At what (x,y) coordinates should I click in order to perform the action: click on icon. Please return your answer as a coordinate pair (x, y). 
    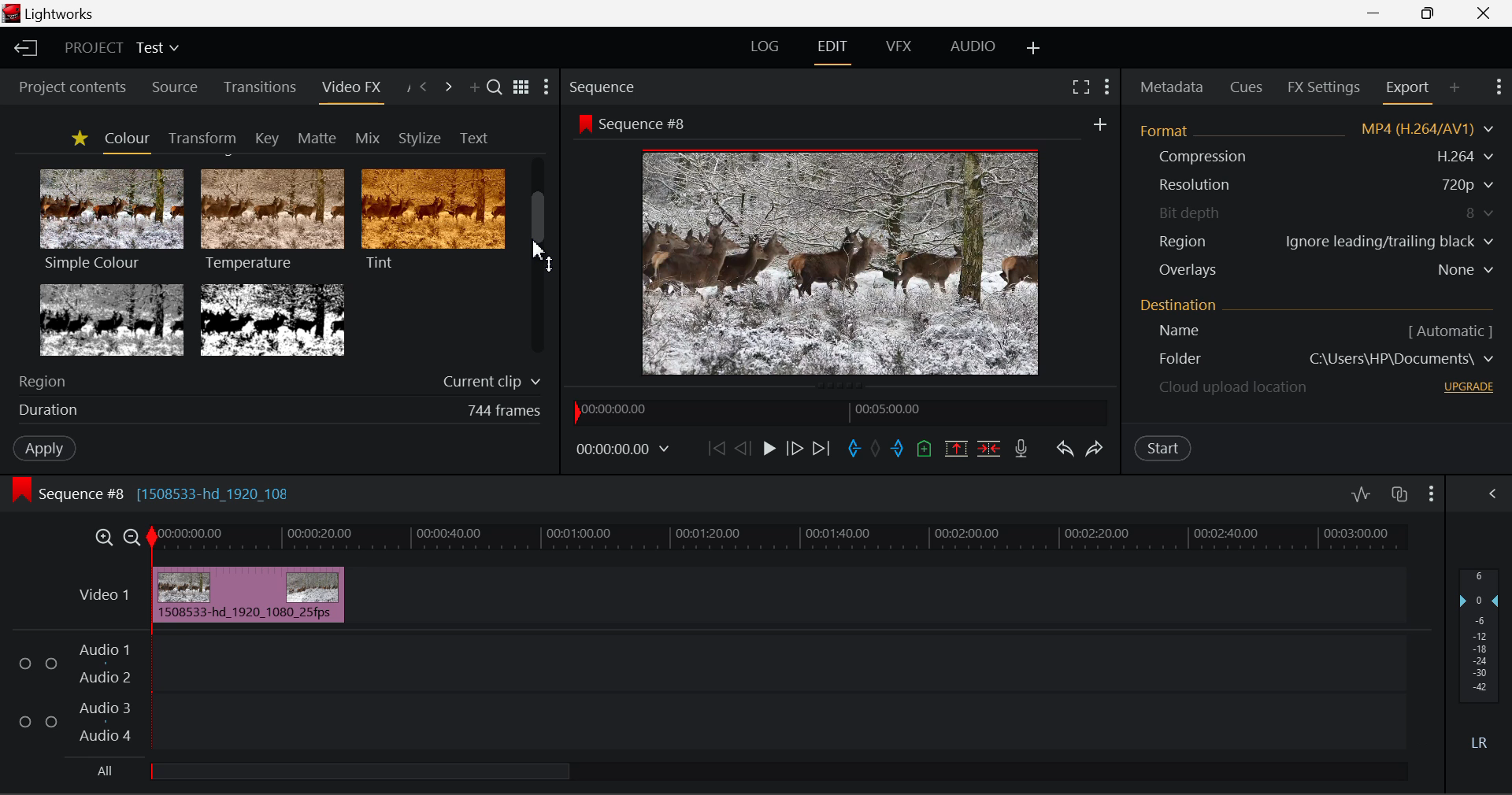
    Looking at the image, I should click on (22, 490).